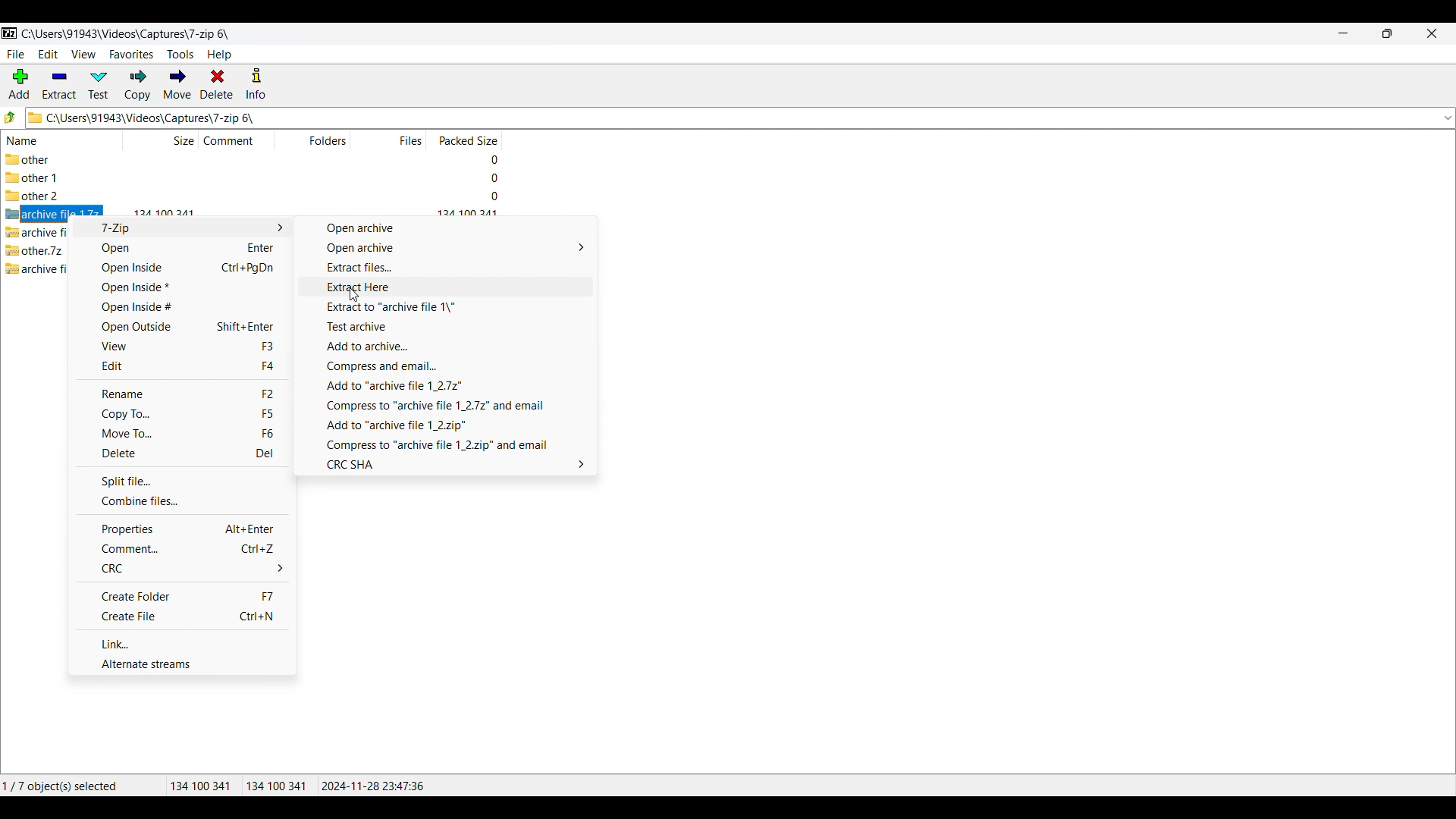 The width and height of the screenshot is (1456, 819). What do you see at coordinates (181, 529) in the screenshot?
I see `Properties` at bounding box center [181, 529].